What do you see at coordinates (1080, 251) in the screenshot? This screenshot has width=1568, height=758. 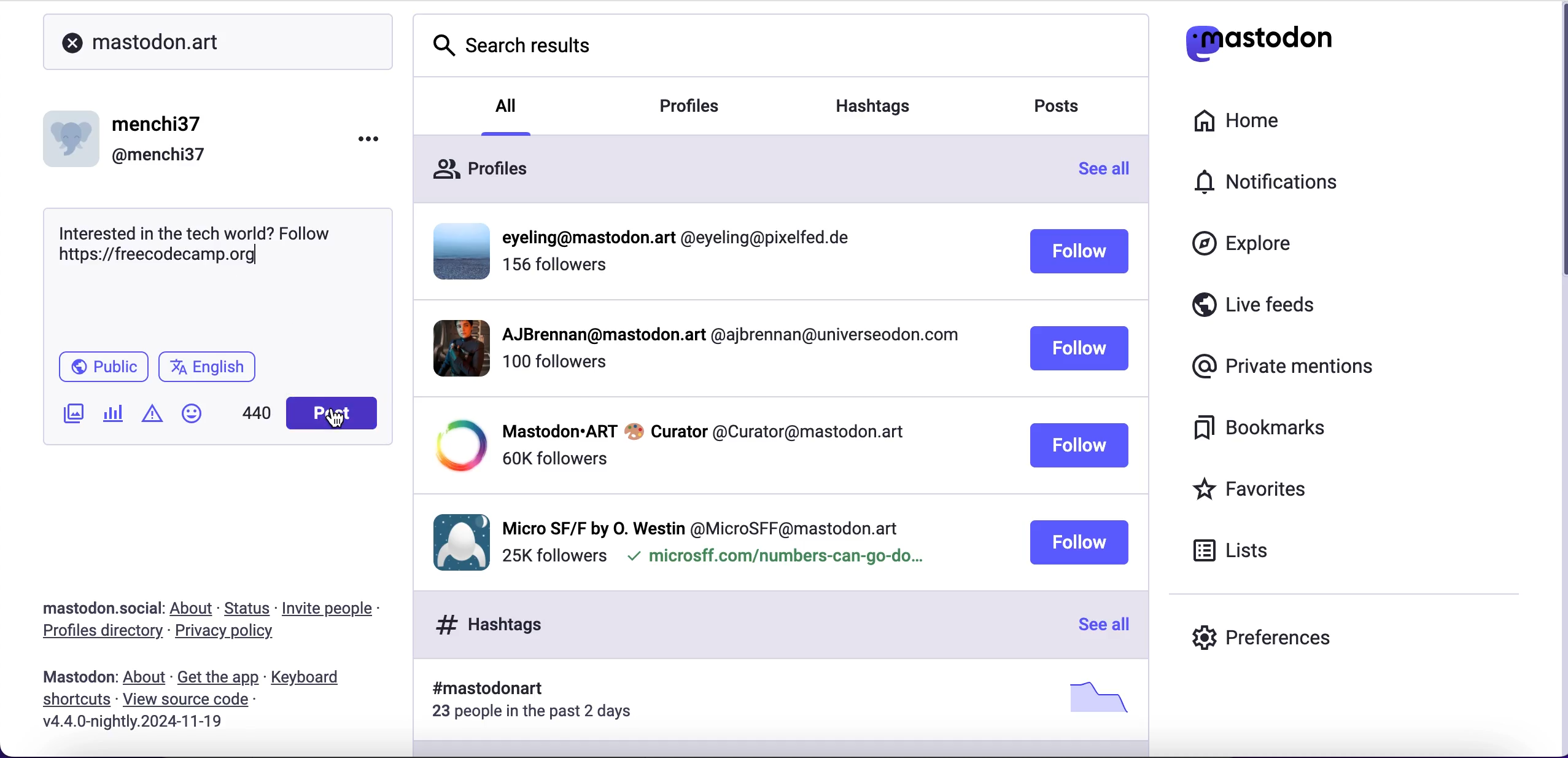 I see `follow` at bounding box center [1080, 251].